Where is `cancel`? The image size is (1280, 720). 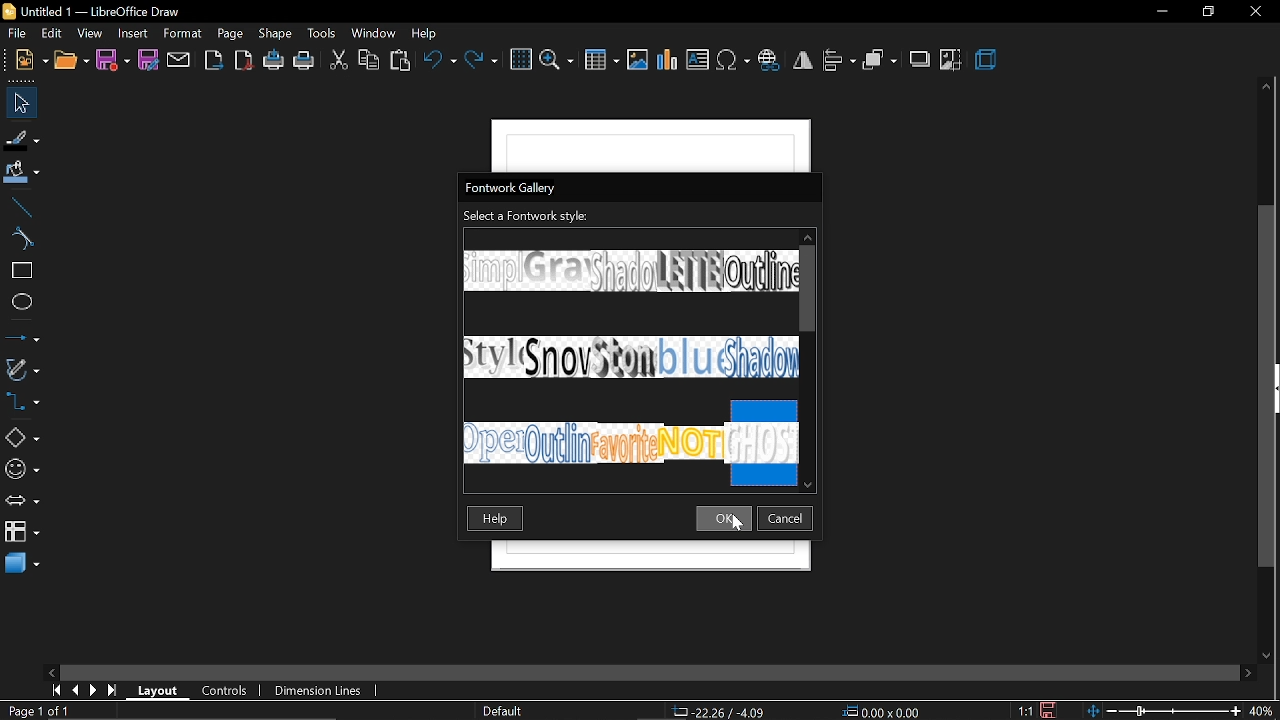 cancel is located at coordinates (787, 518).